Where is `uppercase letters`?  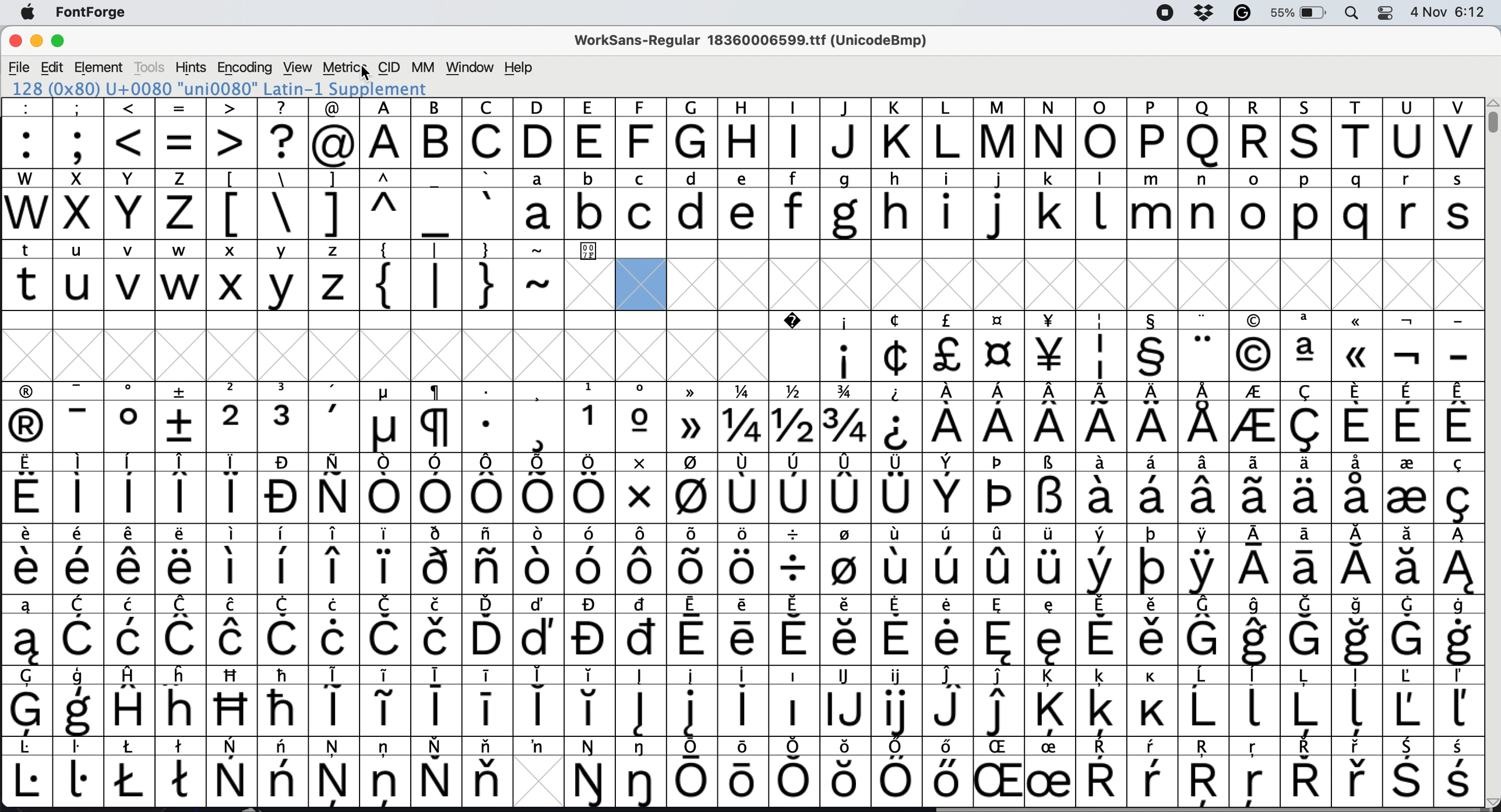
uppercase letters is located at coordinates (102, 213).